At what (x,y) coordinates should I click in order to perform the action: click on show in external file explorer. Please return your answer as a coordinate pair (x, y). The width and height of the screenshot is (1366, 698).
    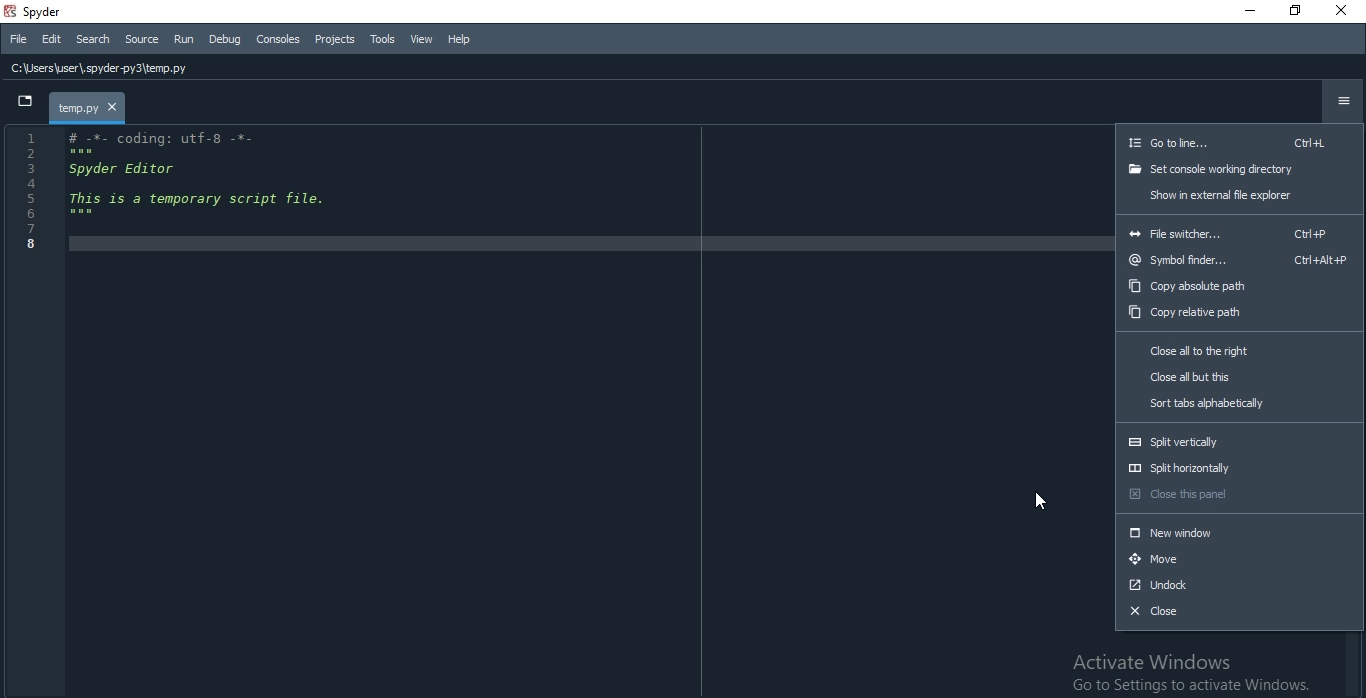
    Looking at the image, I should click on (1241, 195).